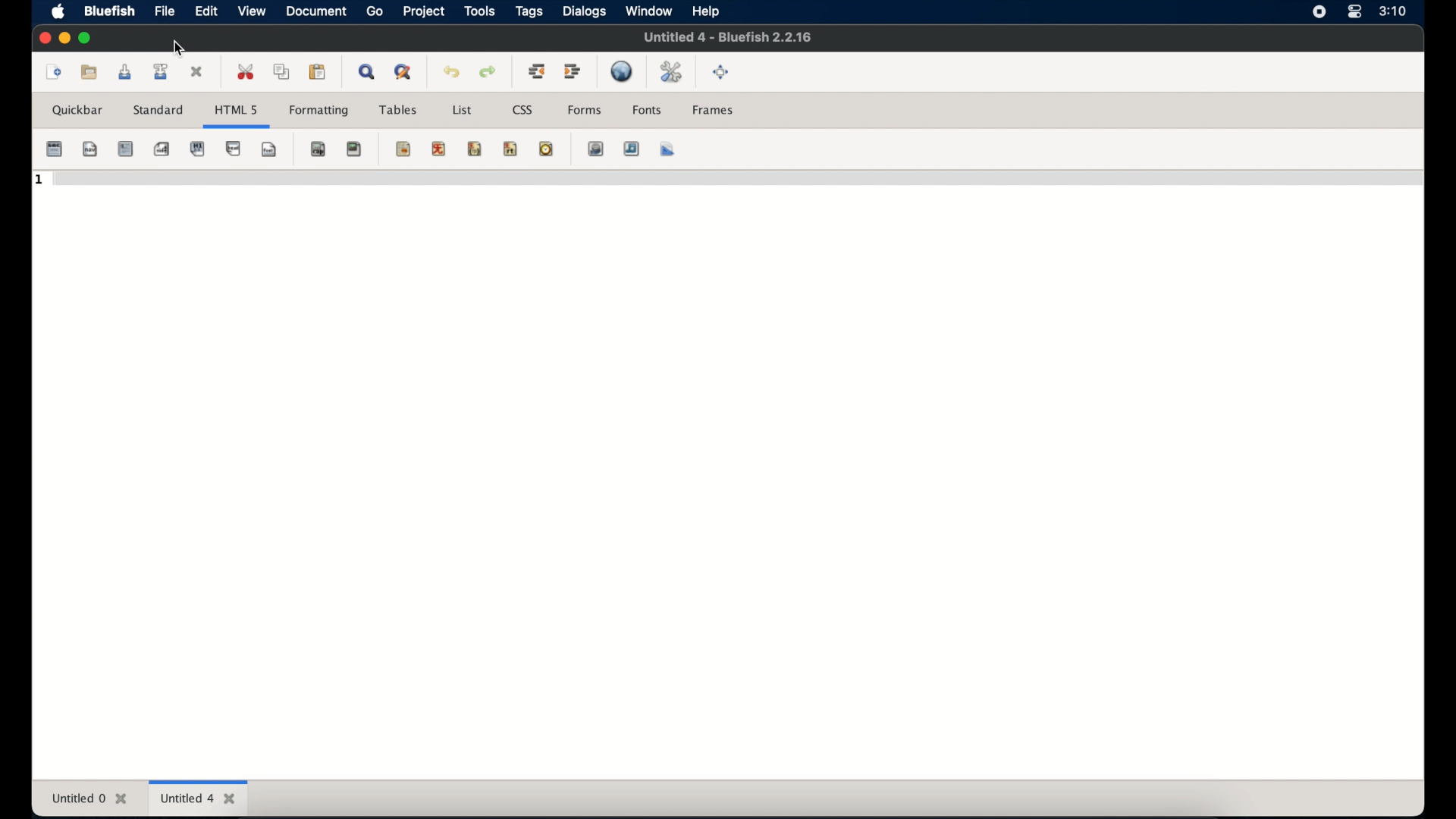 The width and height of the screenshot is (1456, 819). What do you see at coordinates (200, 797) in the screenshot?
I see `untitled 4` at bounding box center [200, 797].